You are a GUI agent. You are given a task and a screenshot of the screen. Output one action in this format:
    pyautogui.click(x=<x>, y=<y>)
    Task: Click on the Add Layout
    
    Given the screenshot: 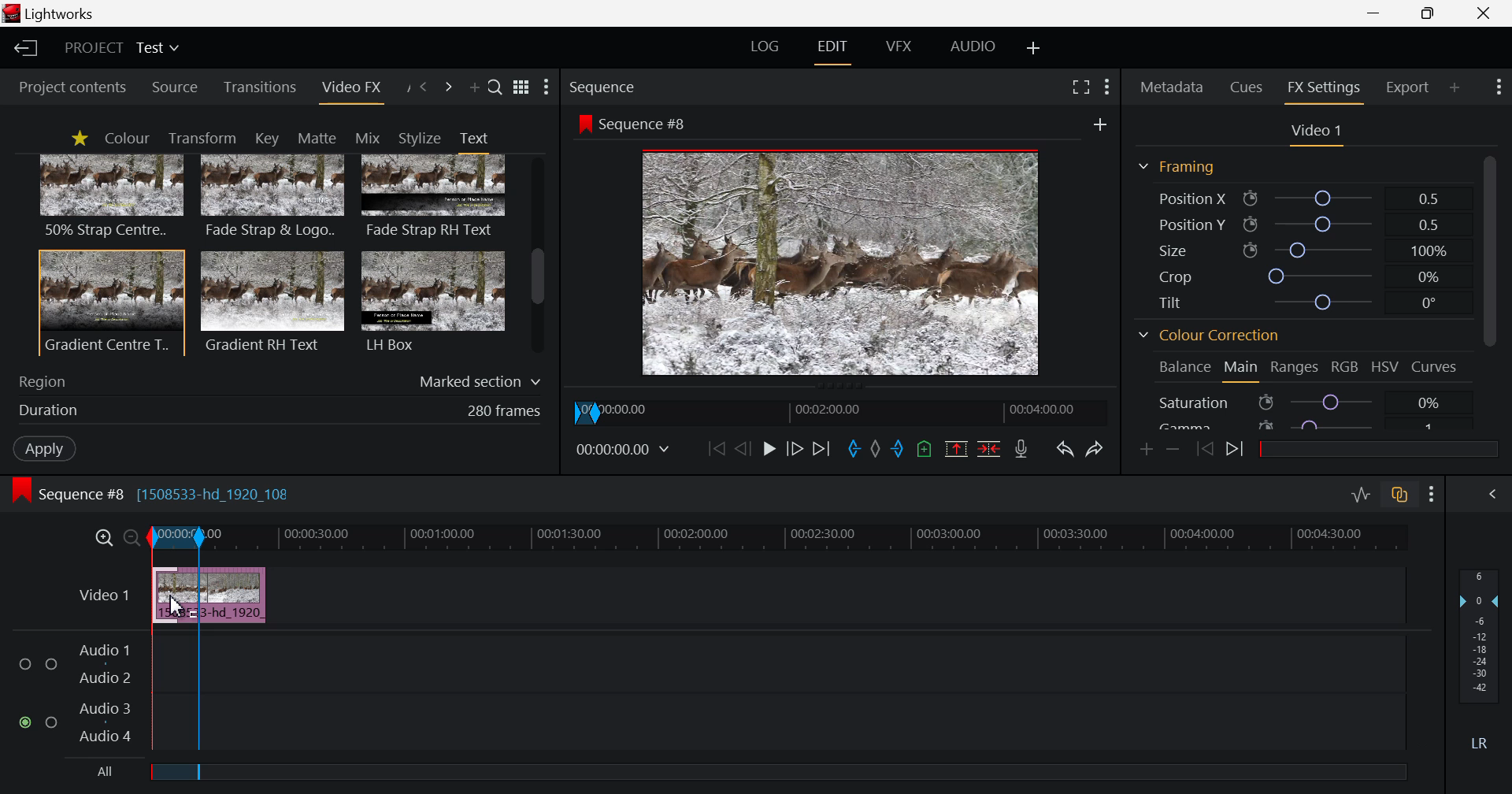 What is the action you would take?
    pyautogui.click(x=1035, y=47)
    